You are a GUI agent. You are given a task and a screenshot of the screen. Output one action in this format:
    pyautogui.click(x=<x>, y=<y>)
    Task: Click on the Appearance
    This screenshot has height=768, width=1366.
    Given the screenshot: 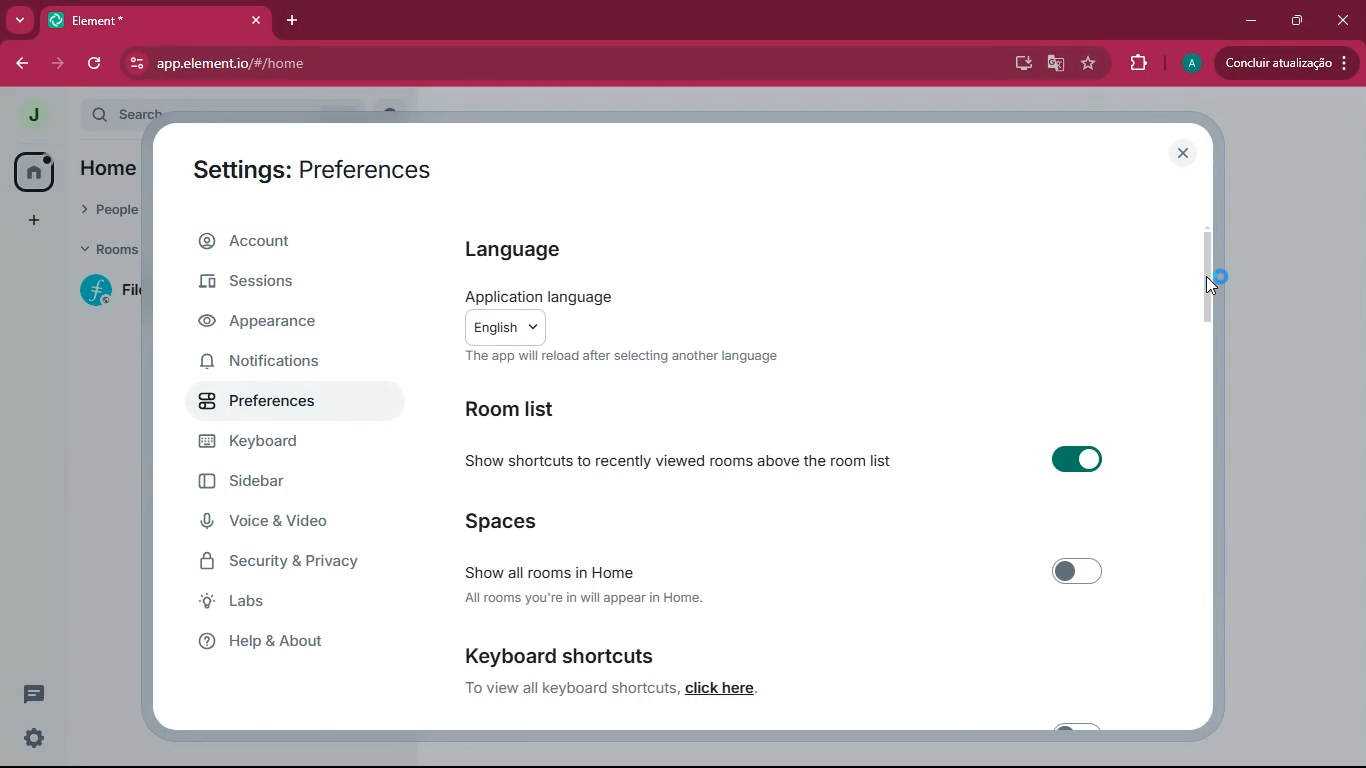 What is the action you would take?
    pyautogui.click(x=265, y=327)
    